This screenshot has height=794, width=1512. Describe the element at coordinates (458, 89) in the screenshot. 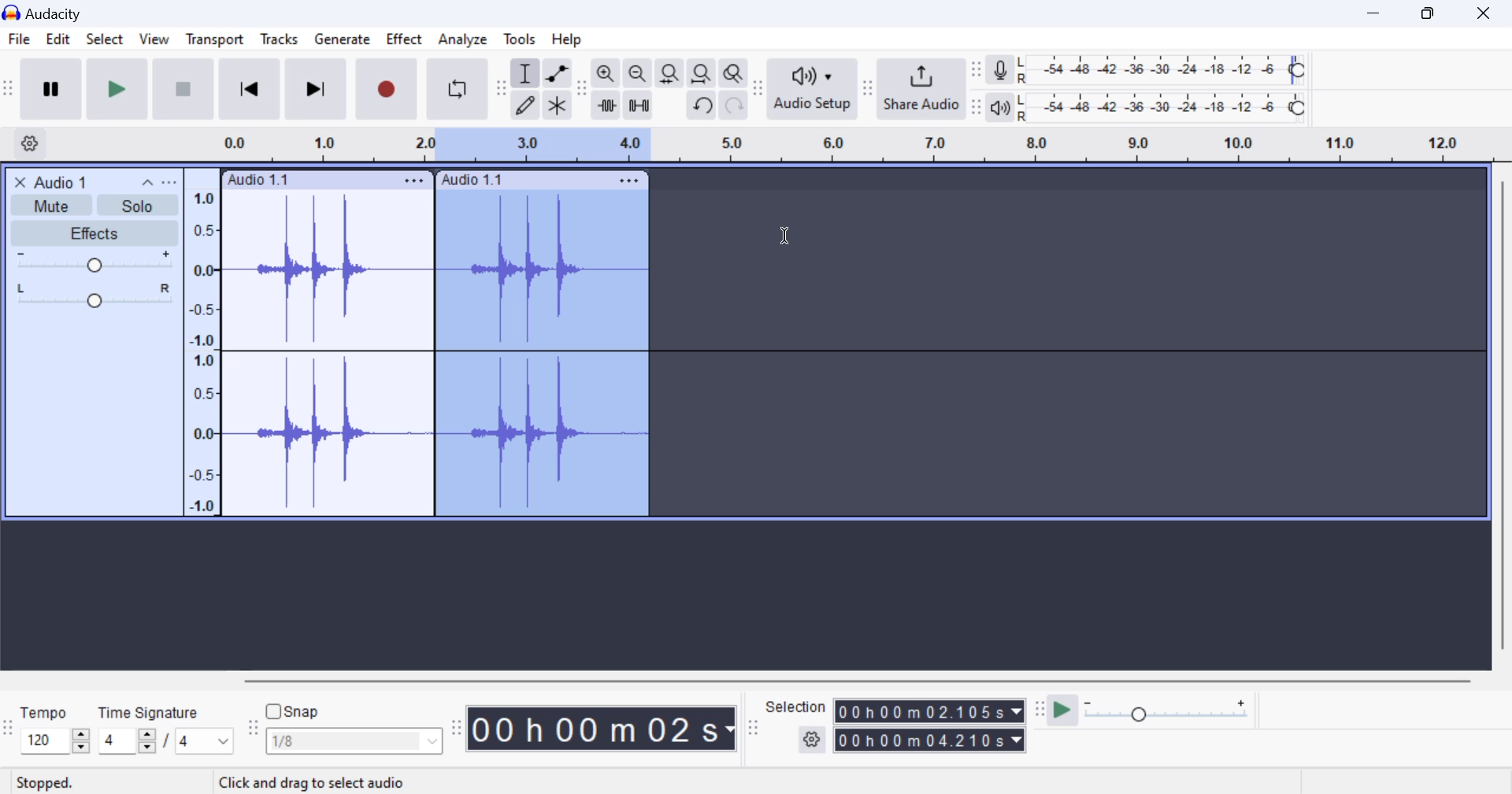

I see `Enable Looping` at that location.